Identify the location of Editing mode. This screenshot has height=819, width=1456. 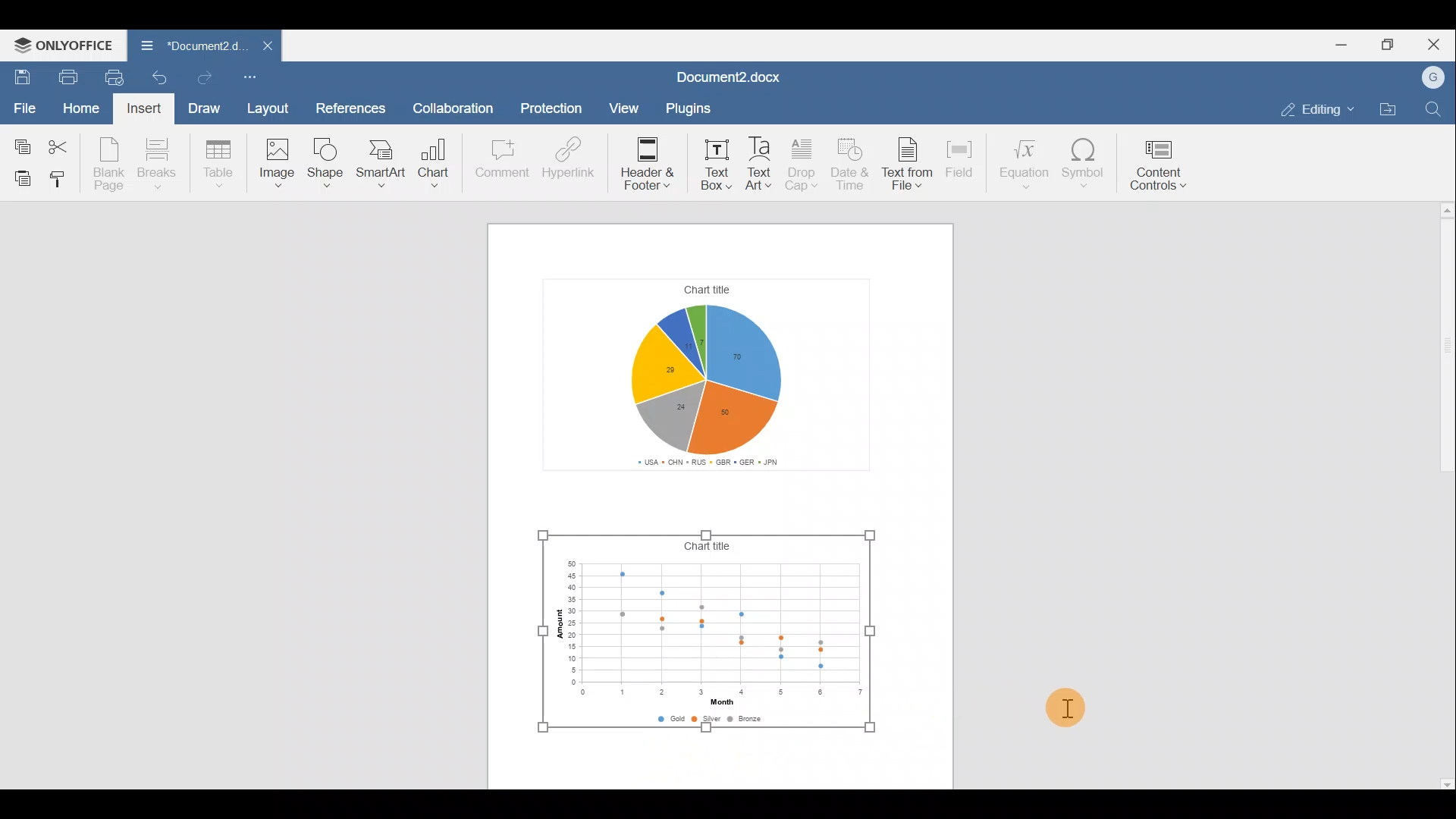
(1313, 109).